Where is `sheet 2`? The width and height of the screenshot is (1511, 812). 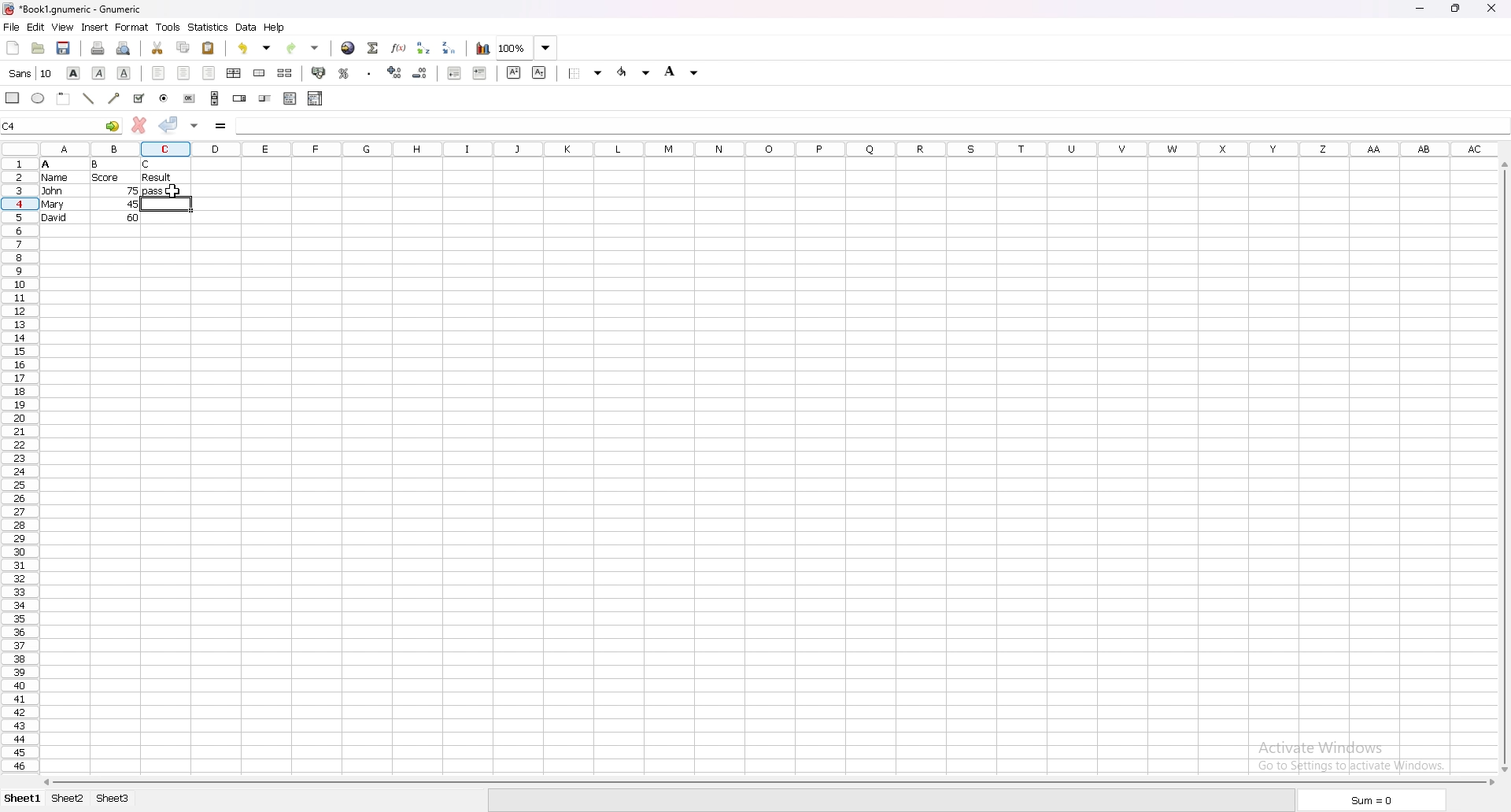 sheet 2 is located at coordinates (65, 800).